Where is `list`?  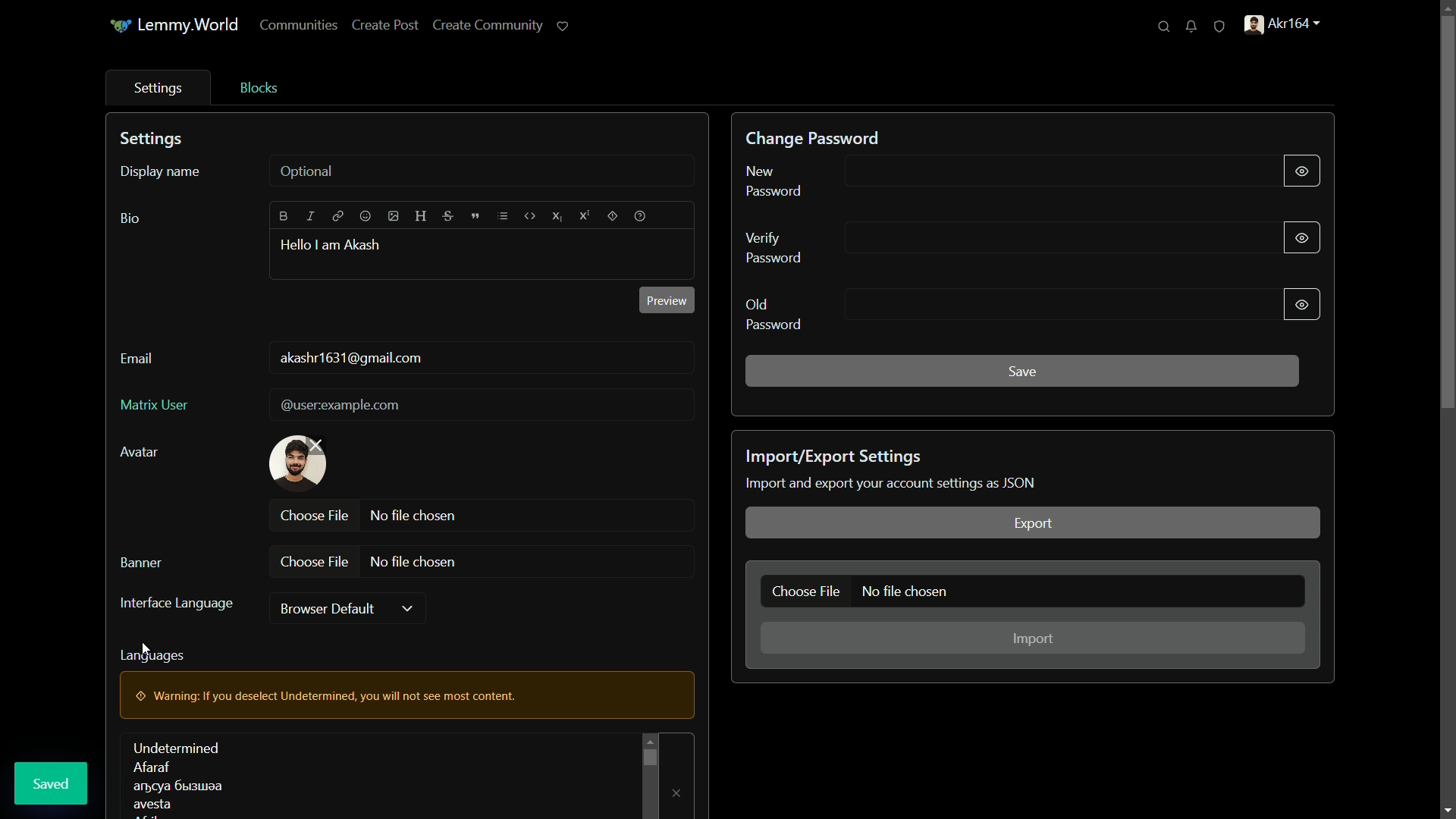 list is located at coordinates (503, 216).